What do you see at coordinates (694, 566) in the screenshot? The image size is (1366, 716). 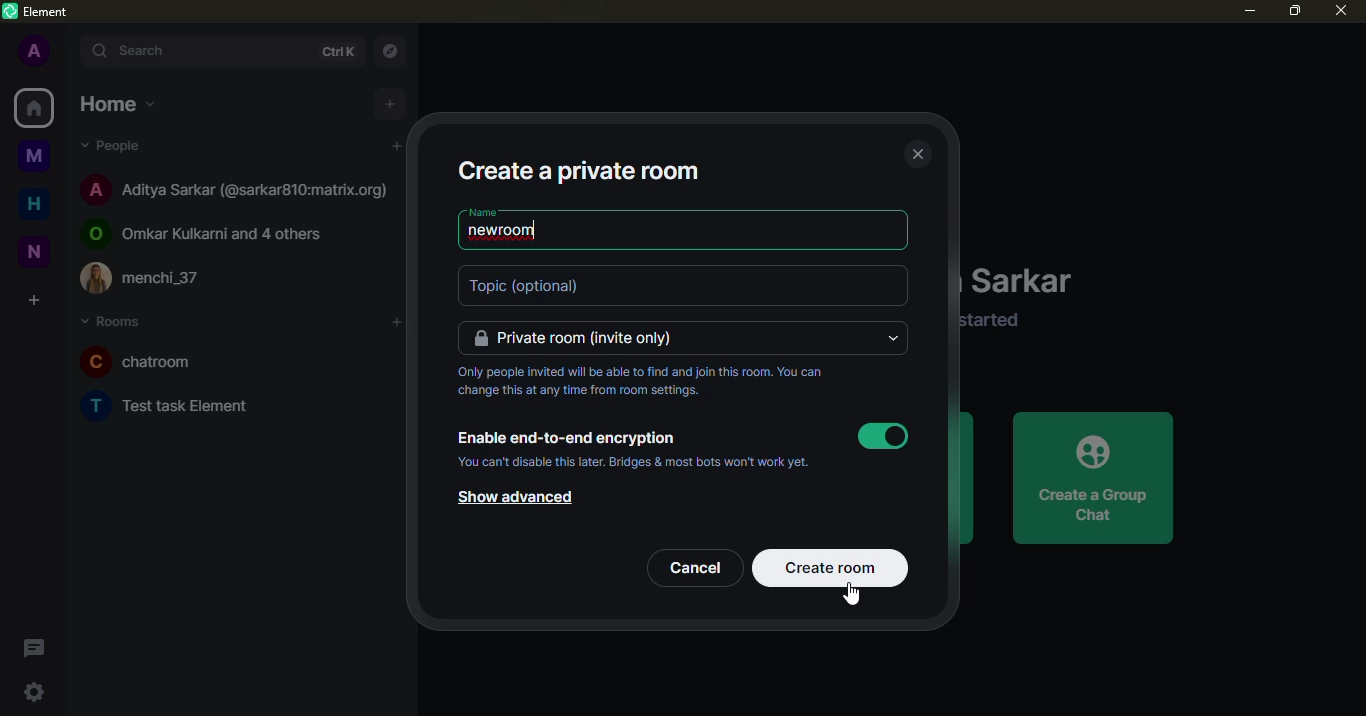 I see `cancel` at bounding box center [694, 566].